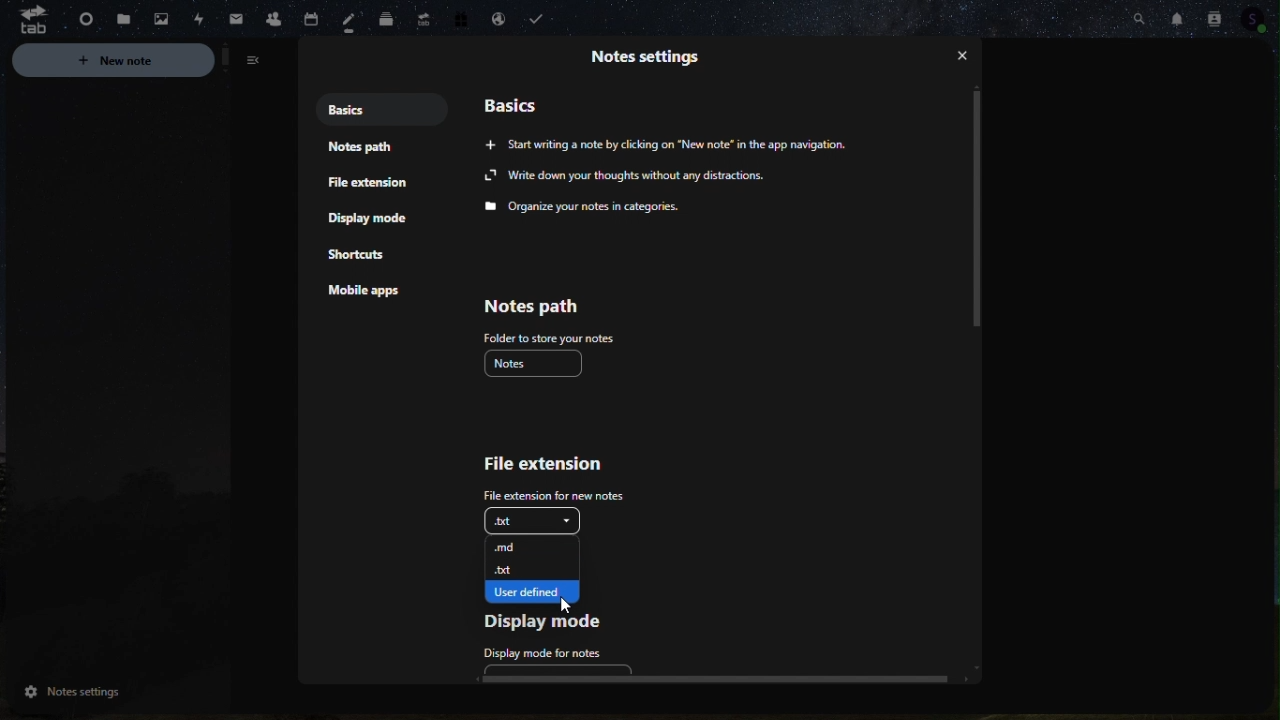 The width and height of the screenshot is (1280, 720). I want to click on Basics notes, so click(357, 108).